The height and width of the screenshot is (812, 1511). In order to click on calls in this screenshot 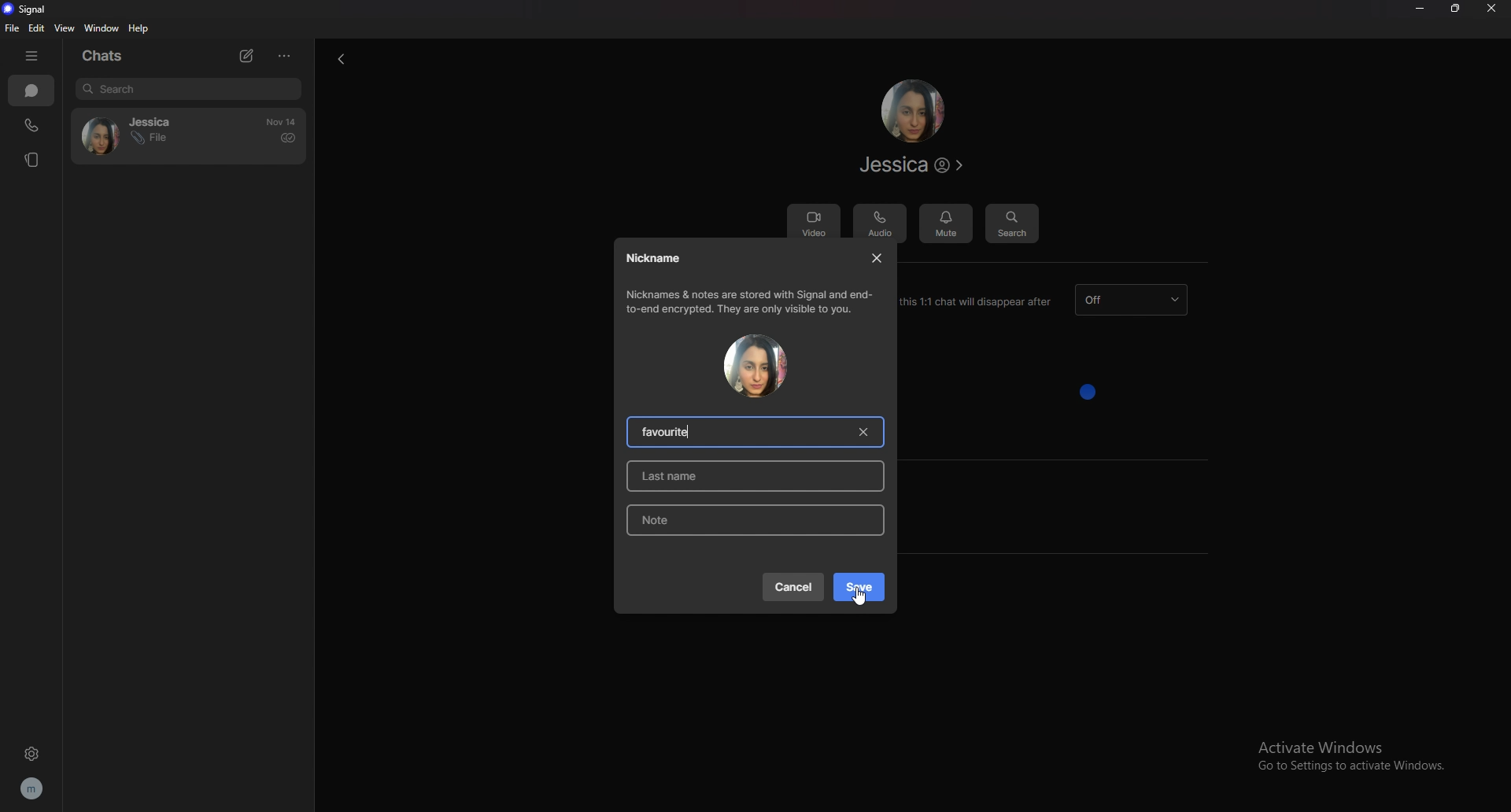, I will do `click(34, 123)`.